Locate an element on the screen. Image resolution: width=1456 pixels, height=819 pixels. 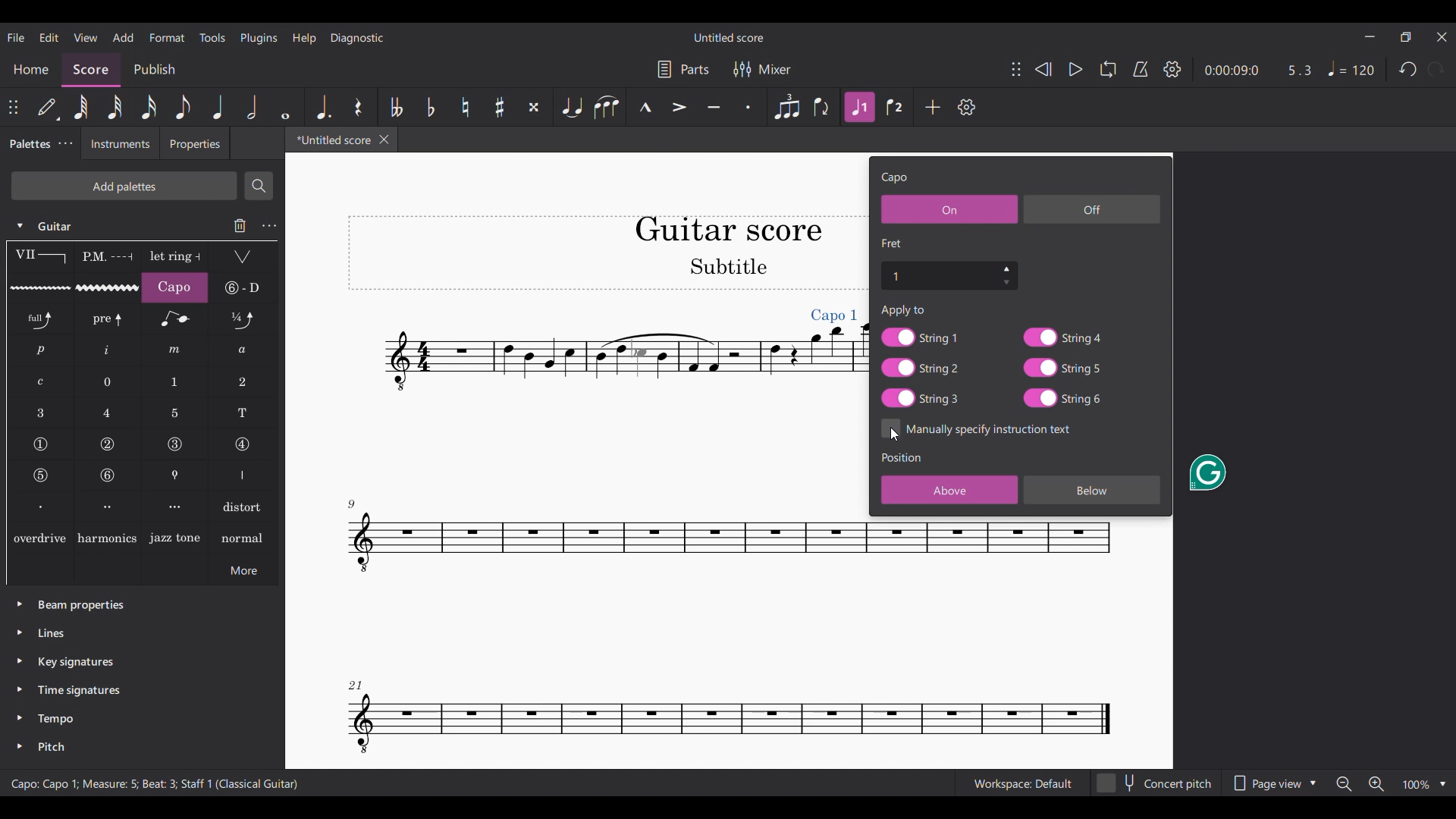
String number 5 is located at coordinates (41, 475).